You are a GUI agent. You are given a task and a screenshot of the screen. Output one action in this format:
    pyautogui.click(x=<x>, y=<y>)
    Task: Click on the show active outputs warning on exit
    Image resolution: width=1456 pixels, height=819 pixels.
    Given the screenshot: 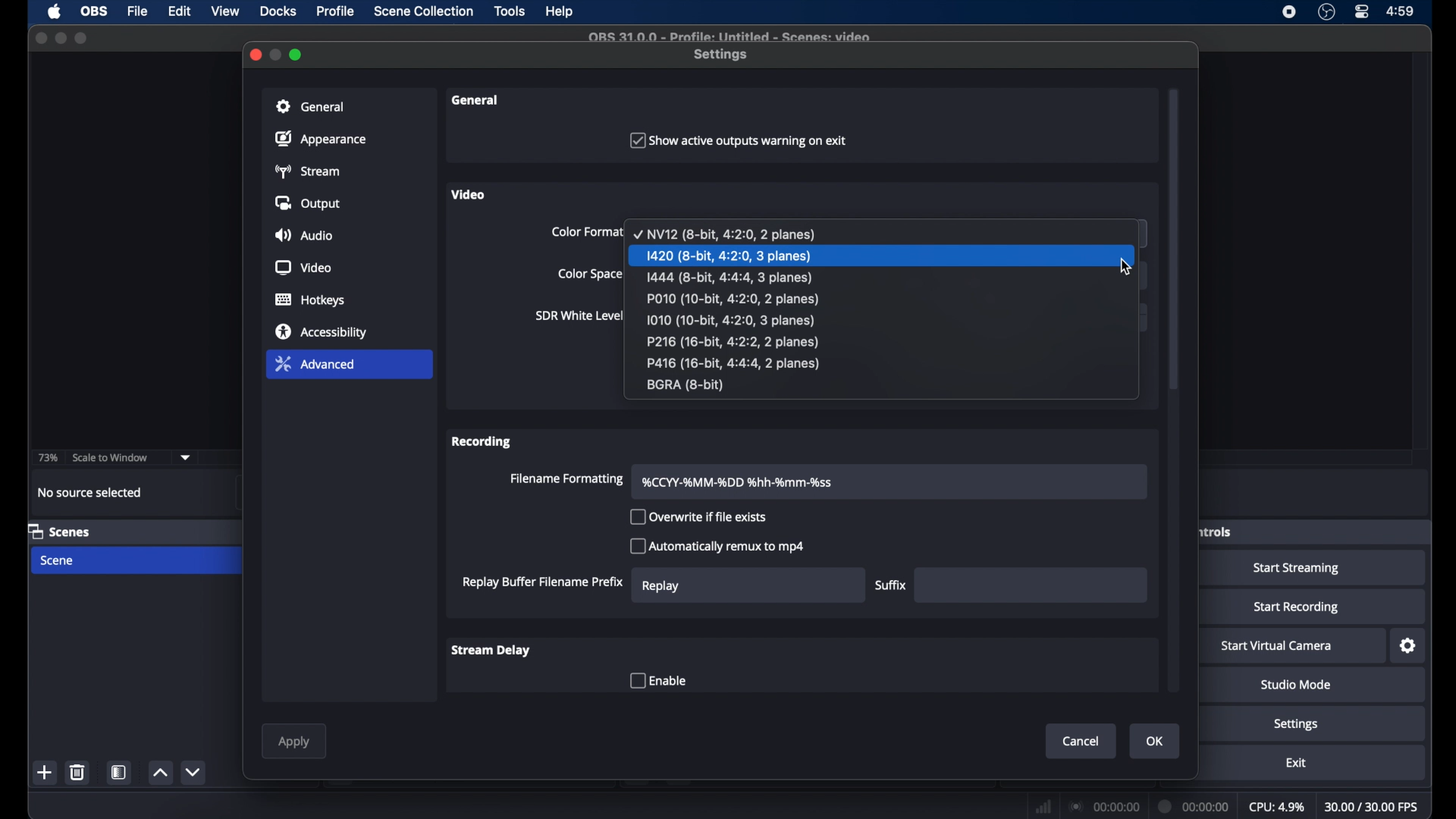 What is the action you would take?
    pyautogui.click(x=736, y=140)
    